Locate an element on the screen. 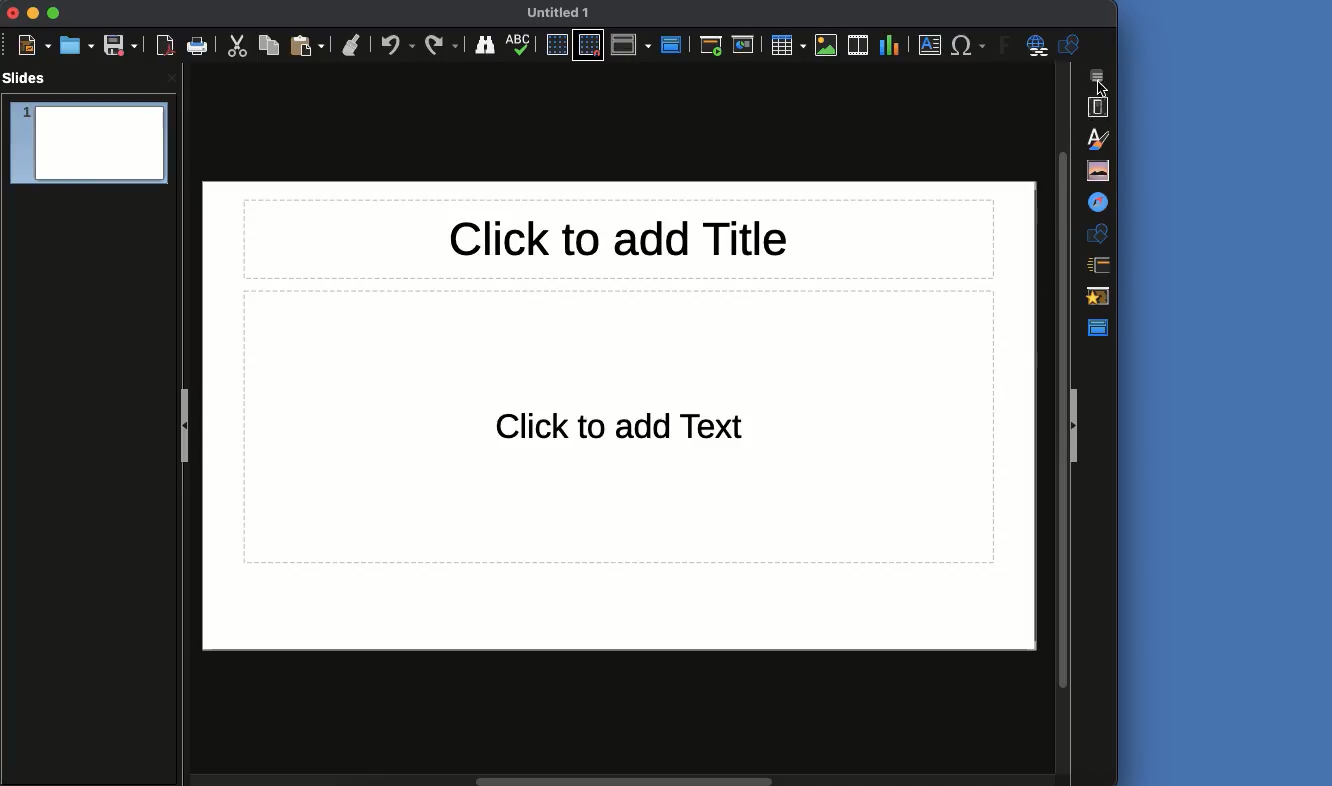 The height and width of the screenshot is (786, 1332). New is located at coordinates (36, 45).